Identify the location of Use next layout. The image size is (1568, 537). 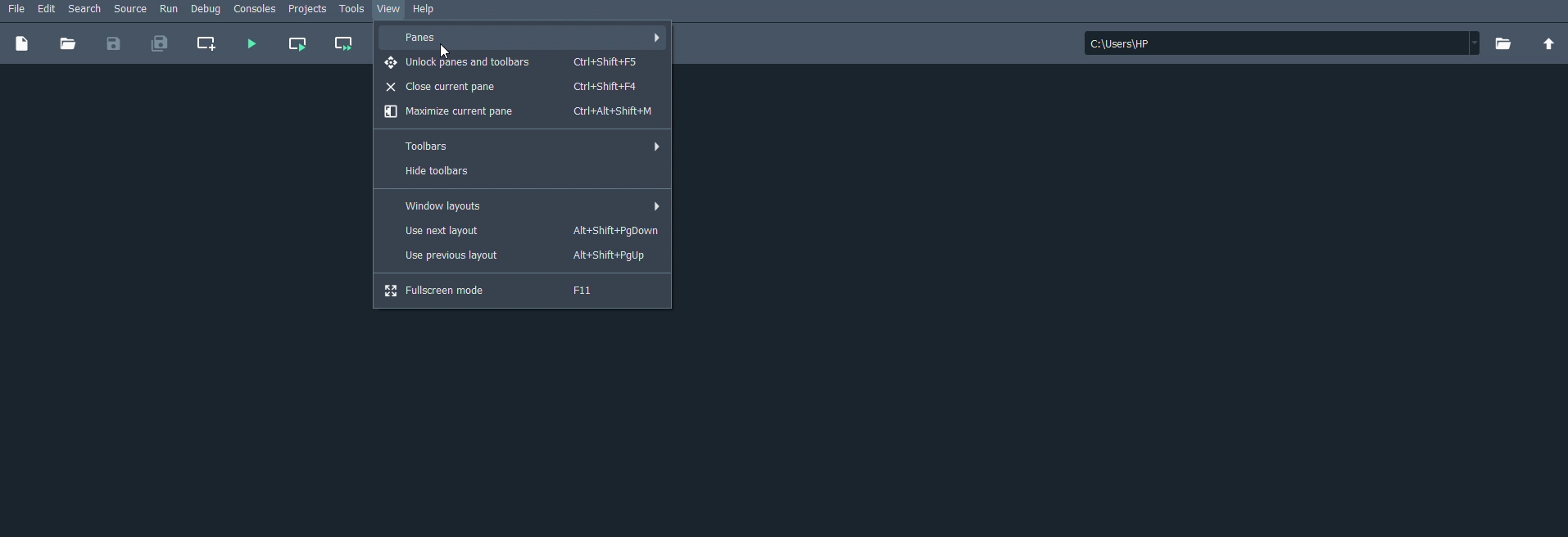
(526, 232).